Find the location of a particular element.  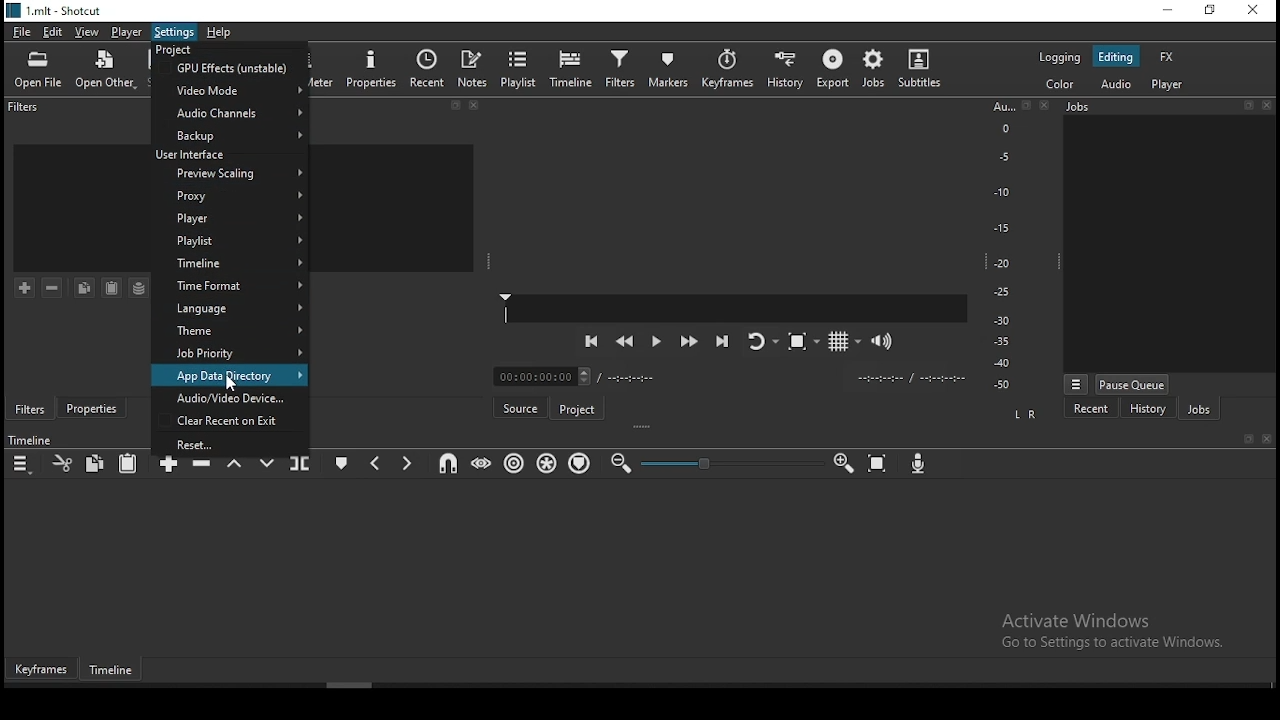

previous marker is located at coordinates (377, 460).